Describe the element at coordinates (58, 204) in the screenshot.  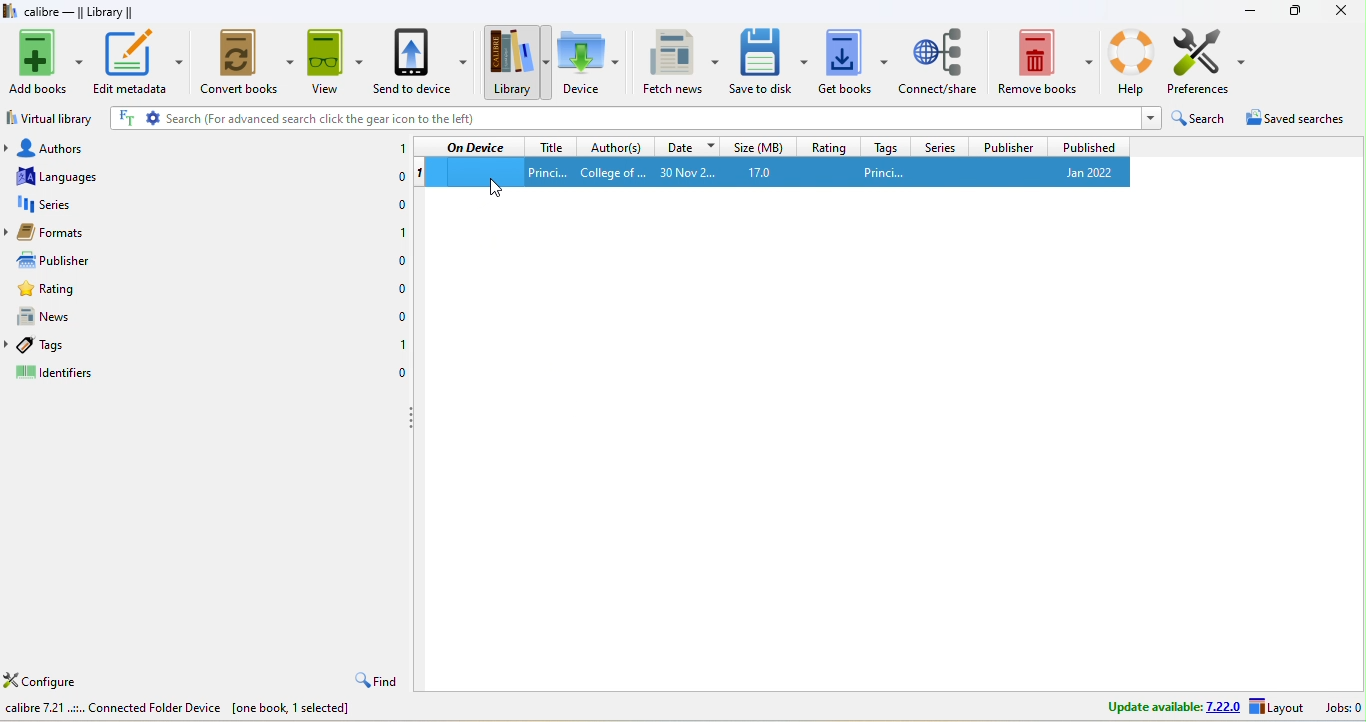
I see `series` at that location.